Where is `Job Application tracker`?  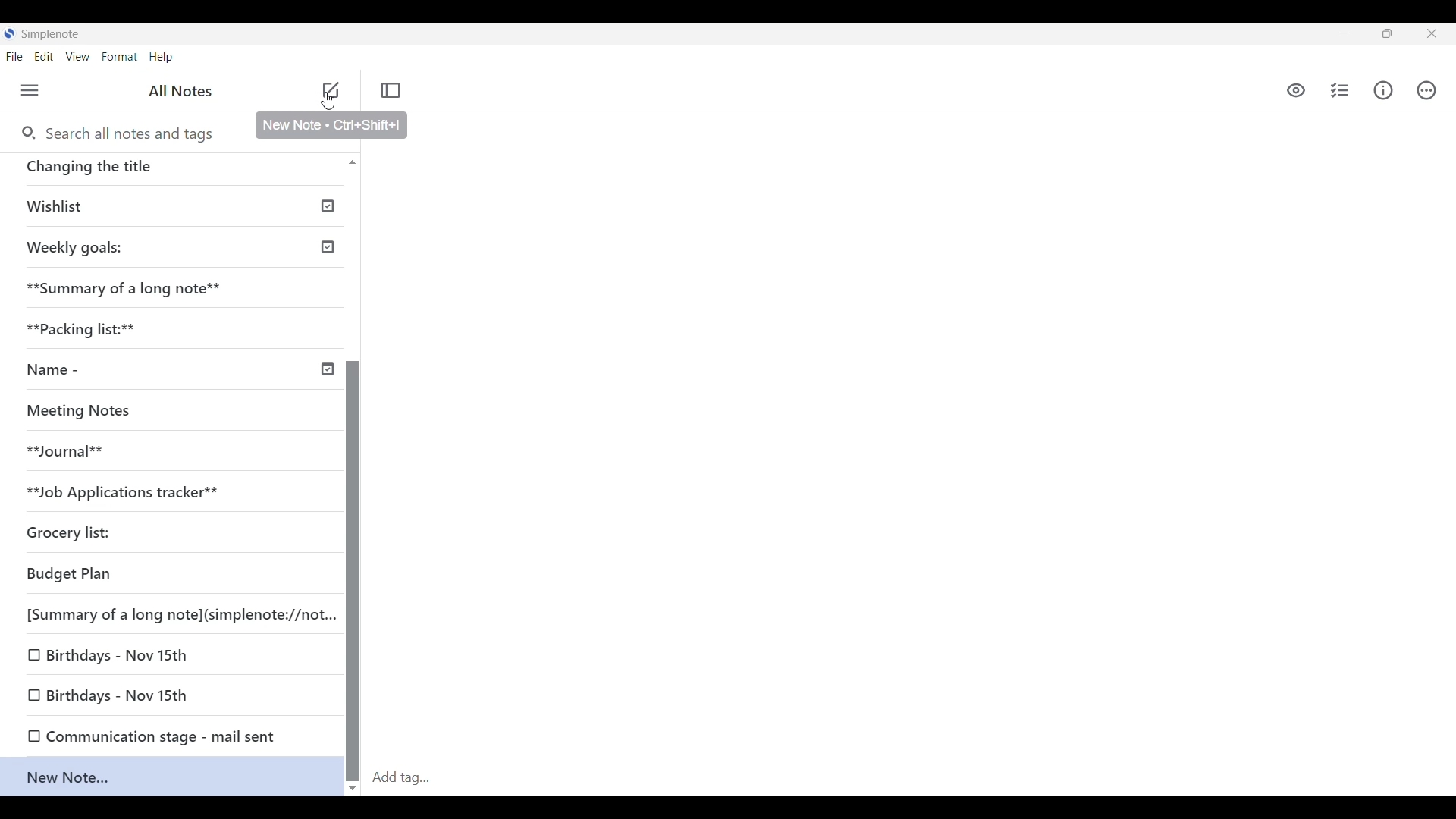
Job Application tracker is located at coordinates (127, 488).